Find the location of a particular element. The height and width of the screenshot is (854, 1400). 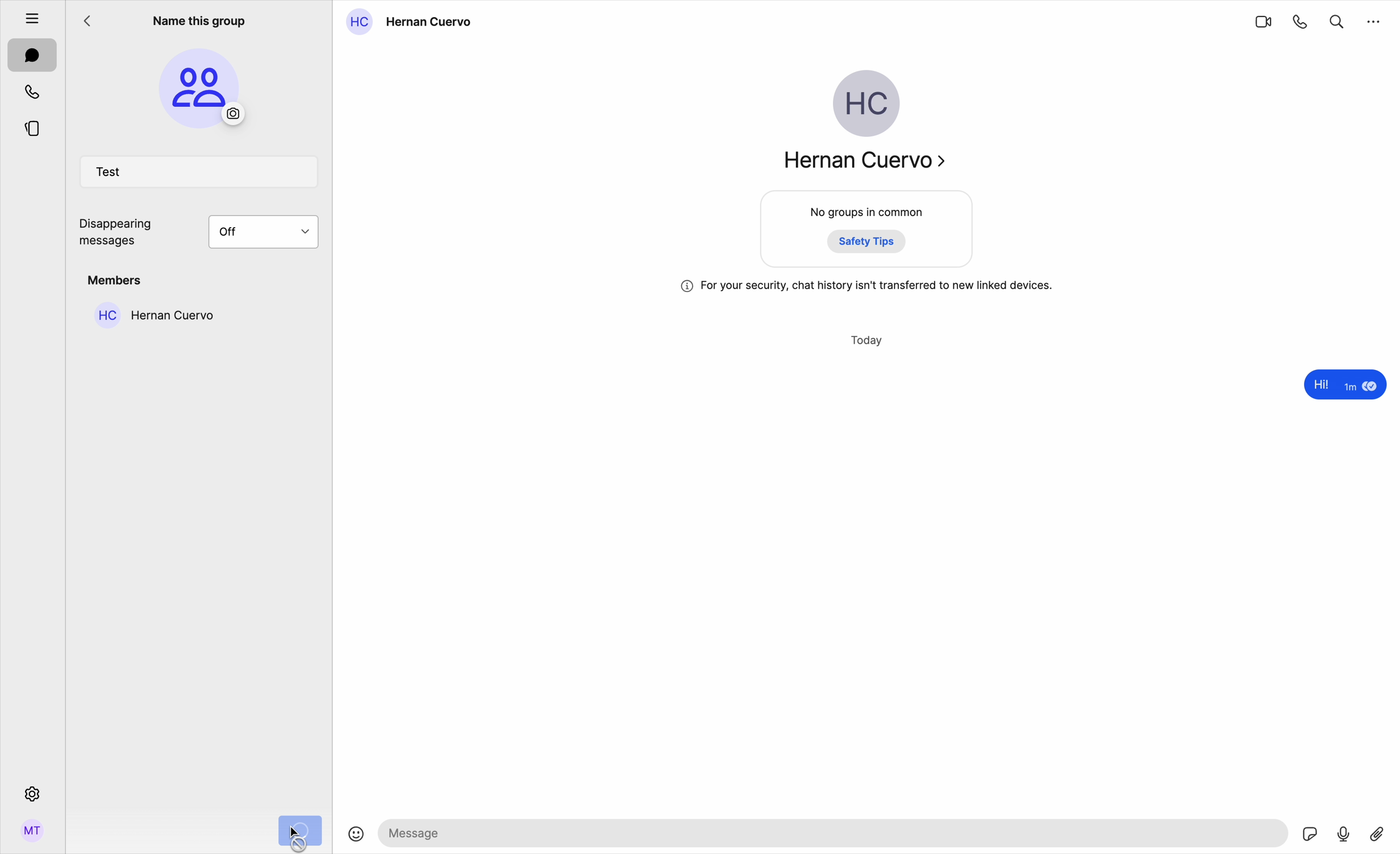

more options is located at coordinates (1374, 20).